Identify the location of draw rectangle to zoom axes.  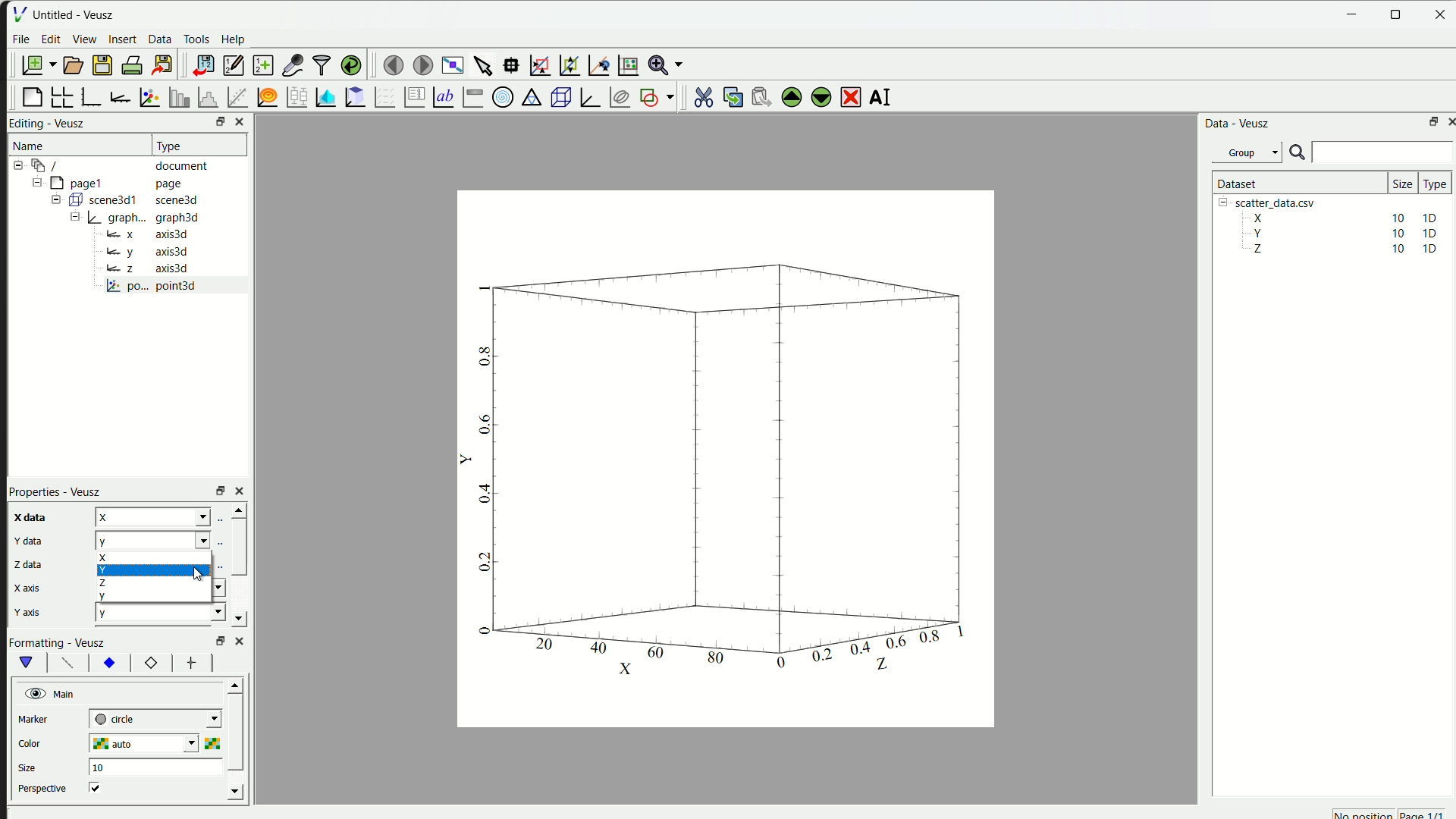
(540, 63).